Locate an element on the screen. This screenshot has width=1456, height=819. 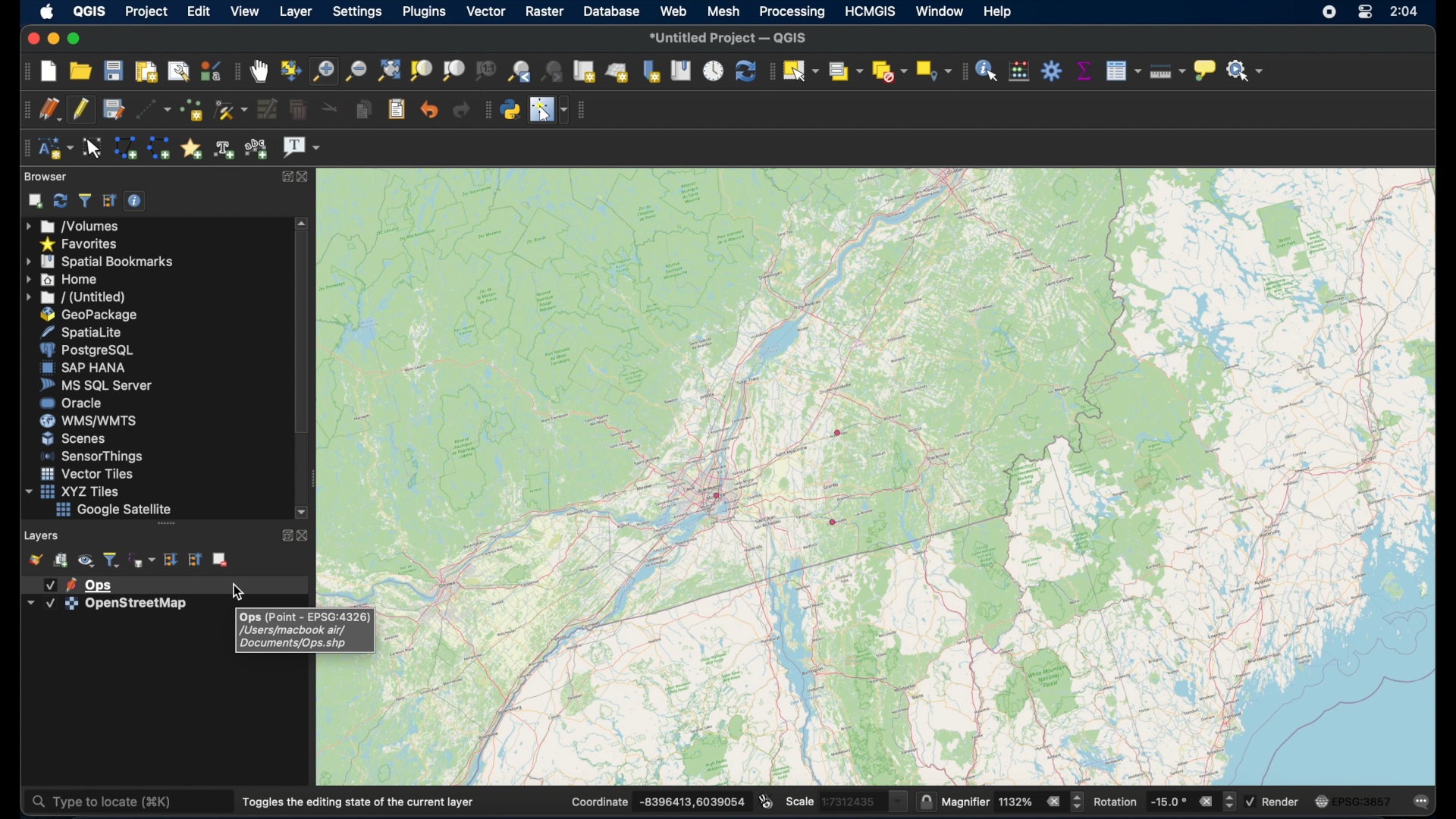
open street map is located at coordinates (1146, 474).